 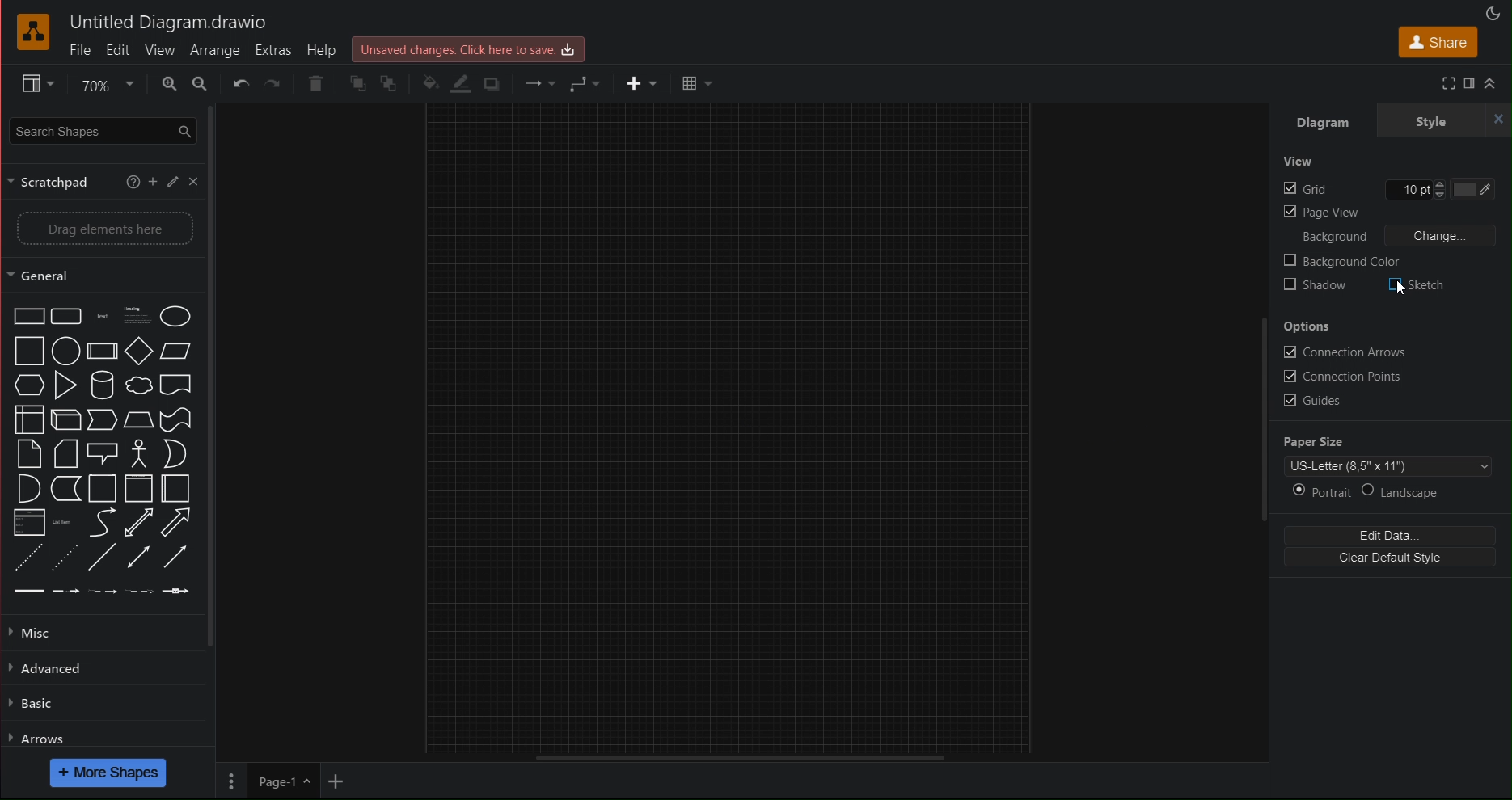 What do you see at coordinates (343, 783) in the screenshot?
I see `Add new page` at bounding box center [343, 783].